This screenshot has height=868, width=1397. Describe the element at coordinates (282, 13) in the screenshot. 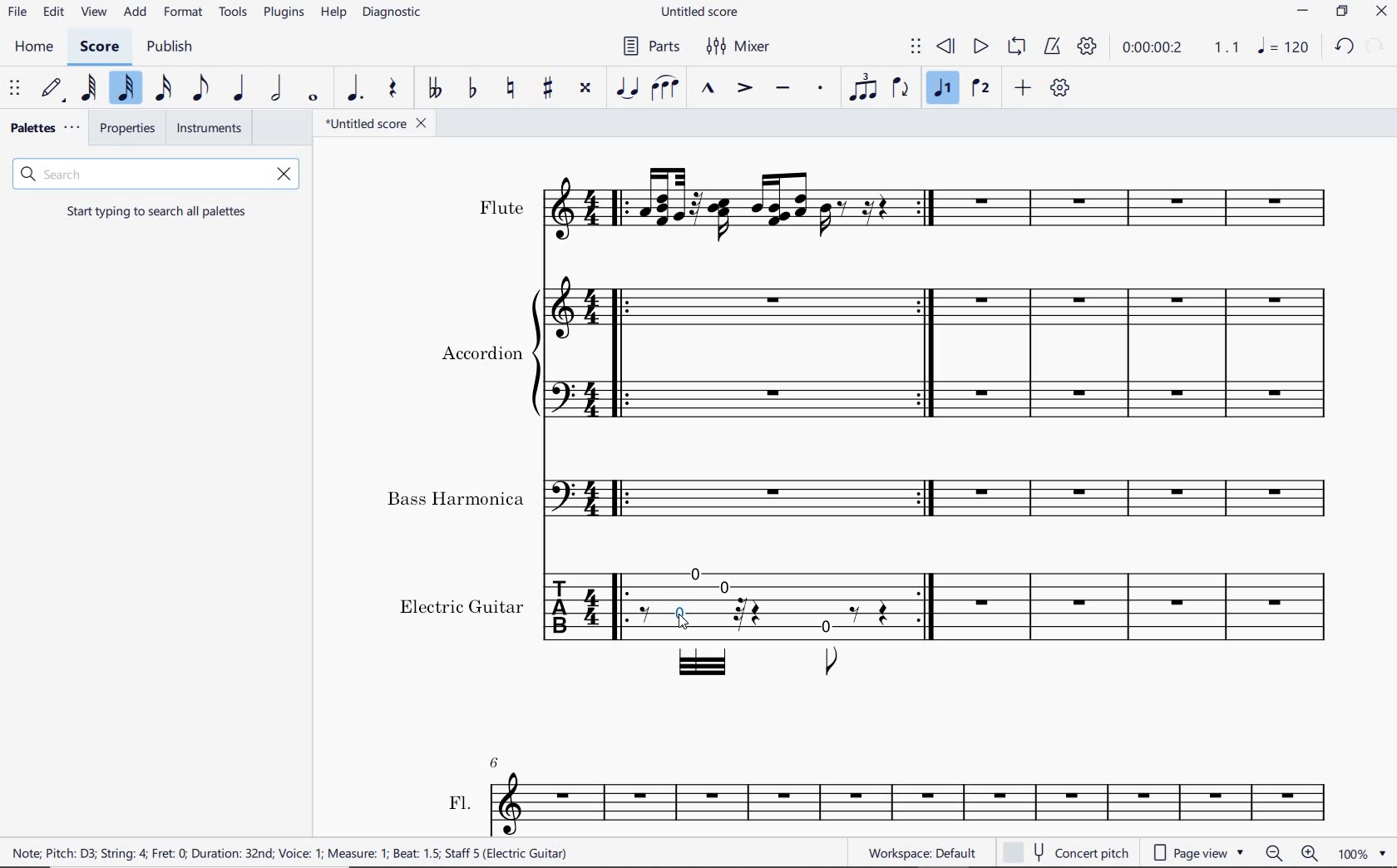

I see `plugins` at that location.